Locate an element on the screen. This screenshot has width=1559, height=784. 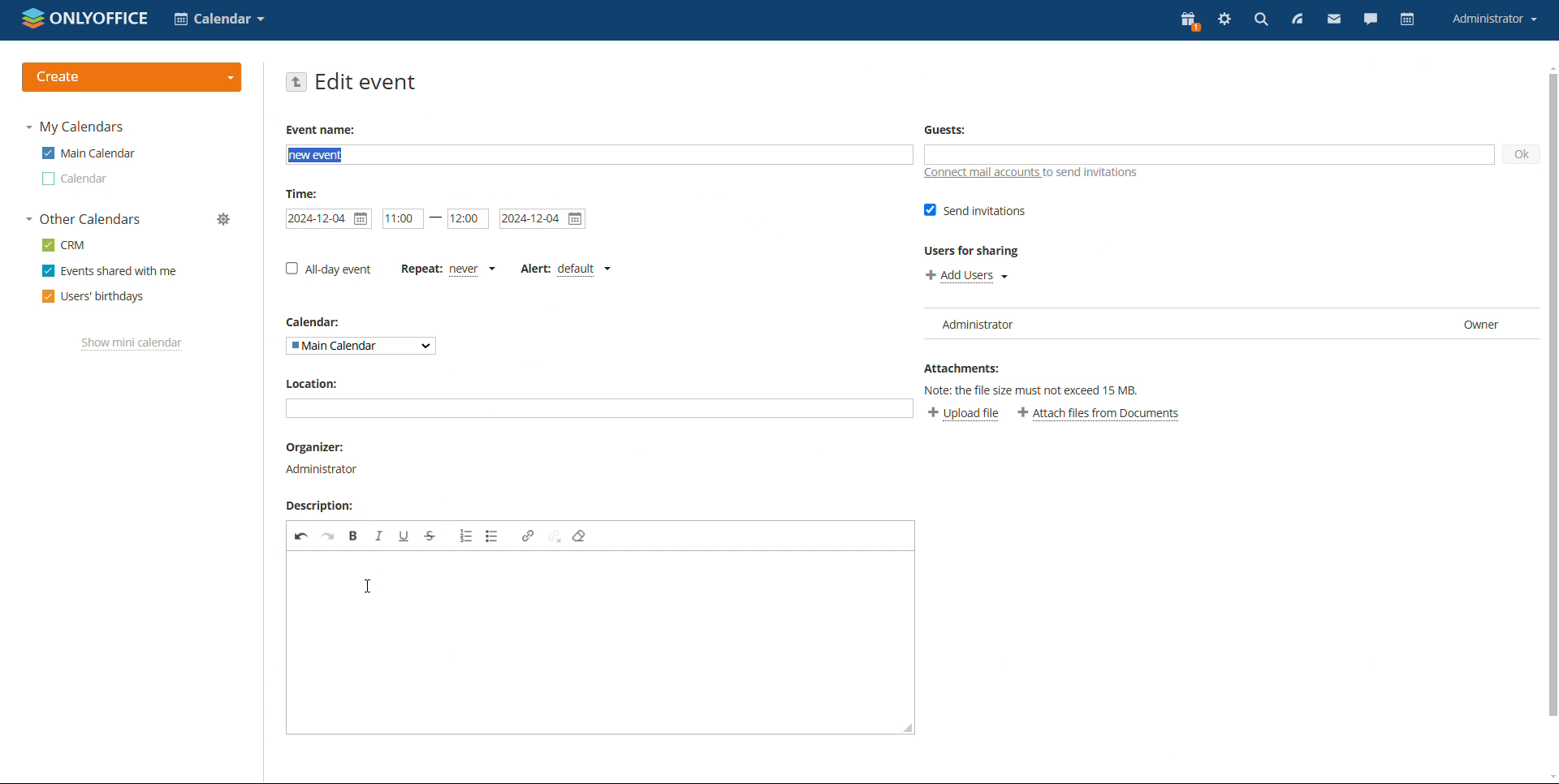
Description: is located at coordinates (322, 504).